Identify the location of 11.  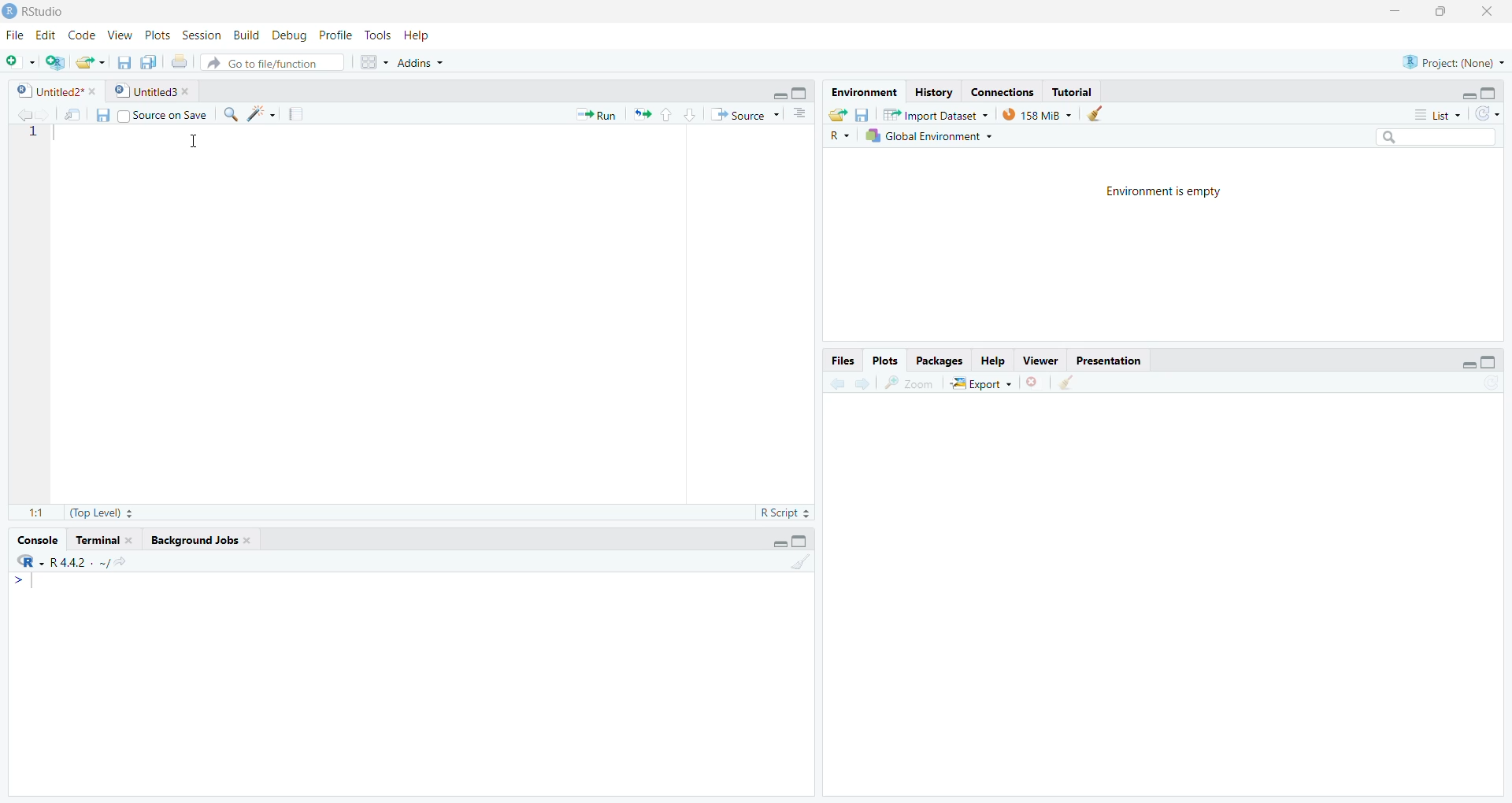
(30, 509).